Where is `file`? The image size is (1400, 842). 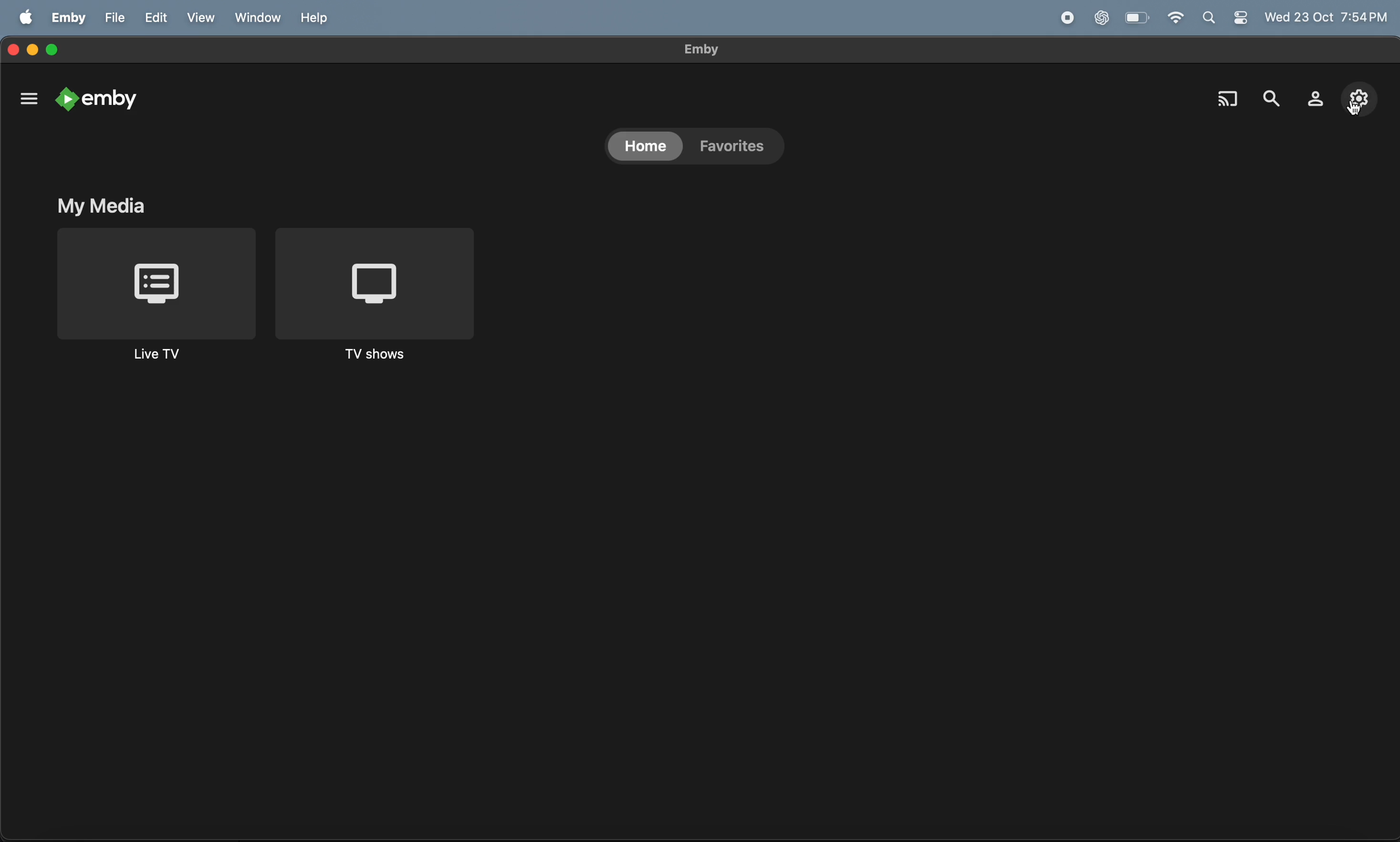
file is located at coordinates (116, 18).